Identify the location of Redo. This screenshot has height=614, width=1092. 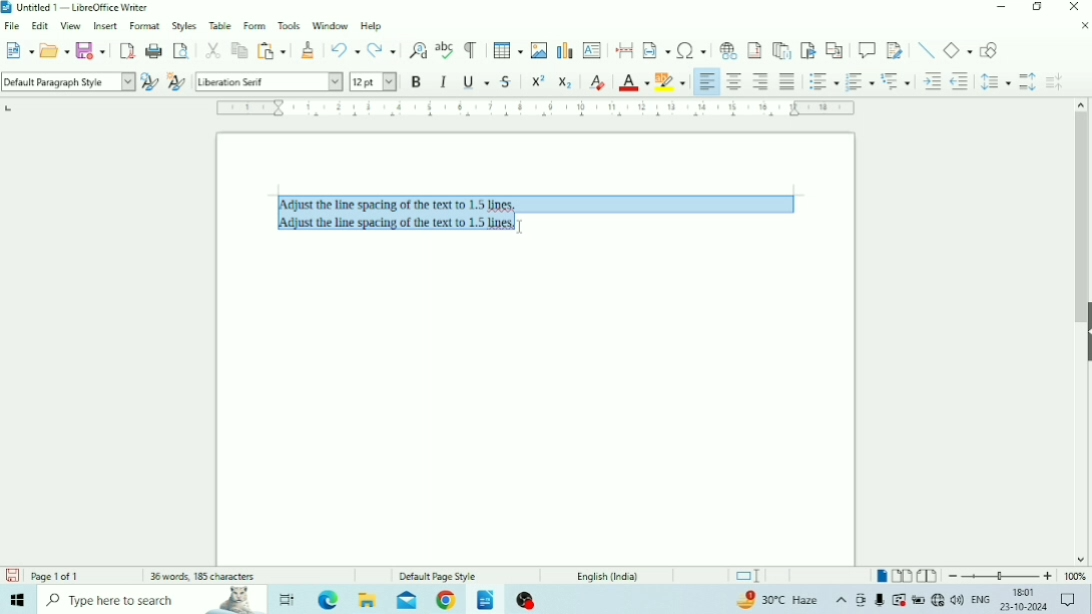
(382, 50).